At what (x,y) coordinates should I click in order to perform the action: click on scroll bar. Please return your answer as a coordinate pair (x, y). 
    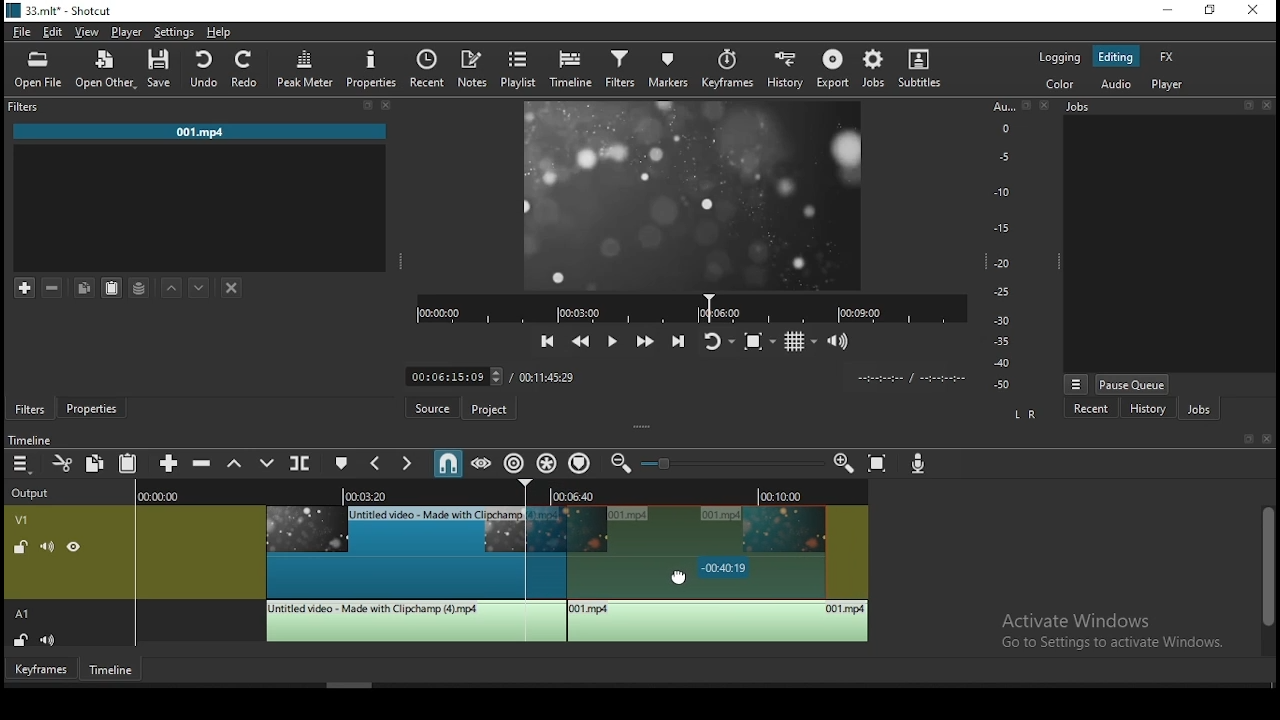
    Looking at the image, I should click on (355, 683).